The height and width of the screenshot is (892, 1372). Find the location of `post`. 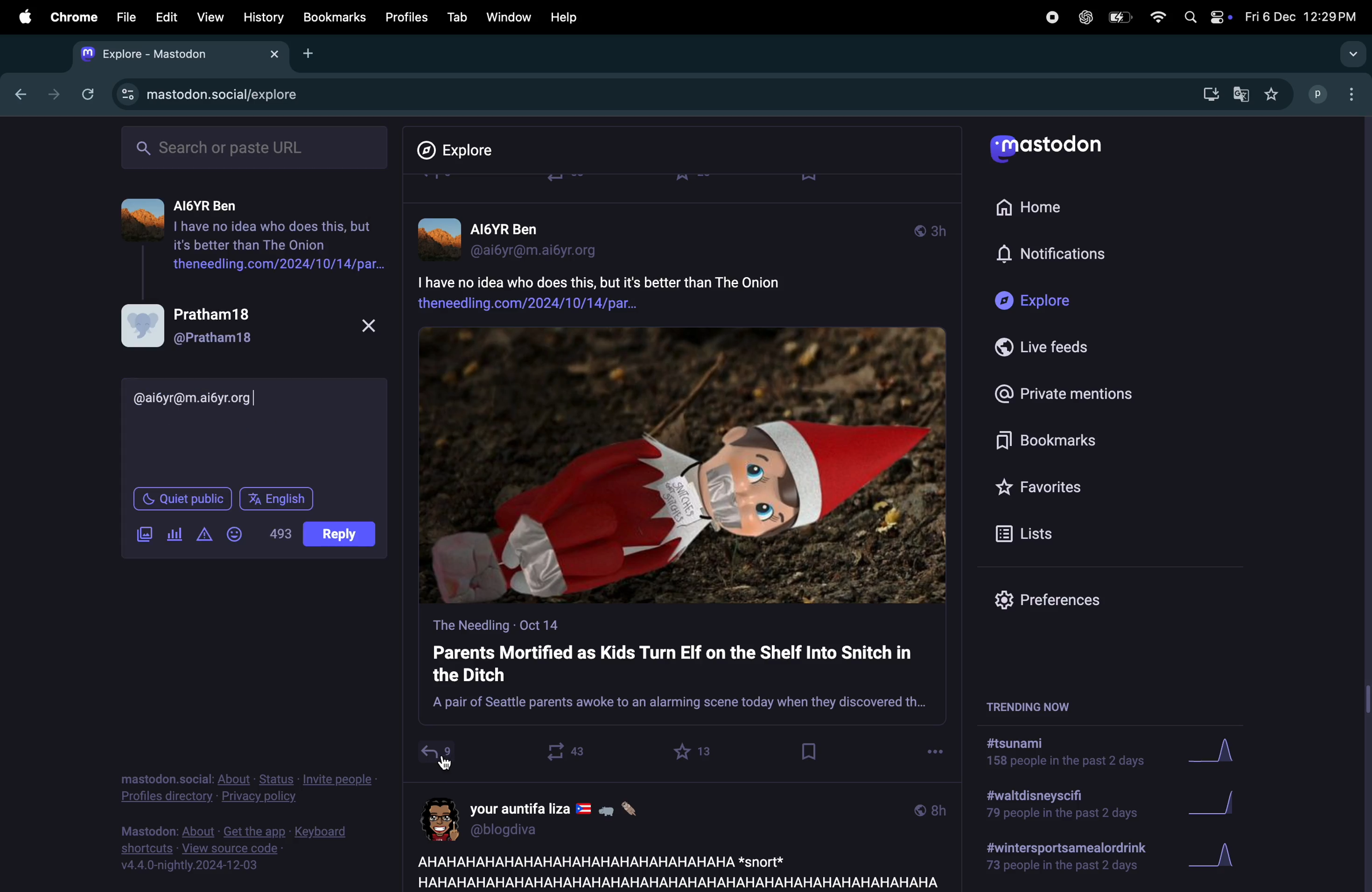

post is located at coordinates (673, 870).